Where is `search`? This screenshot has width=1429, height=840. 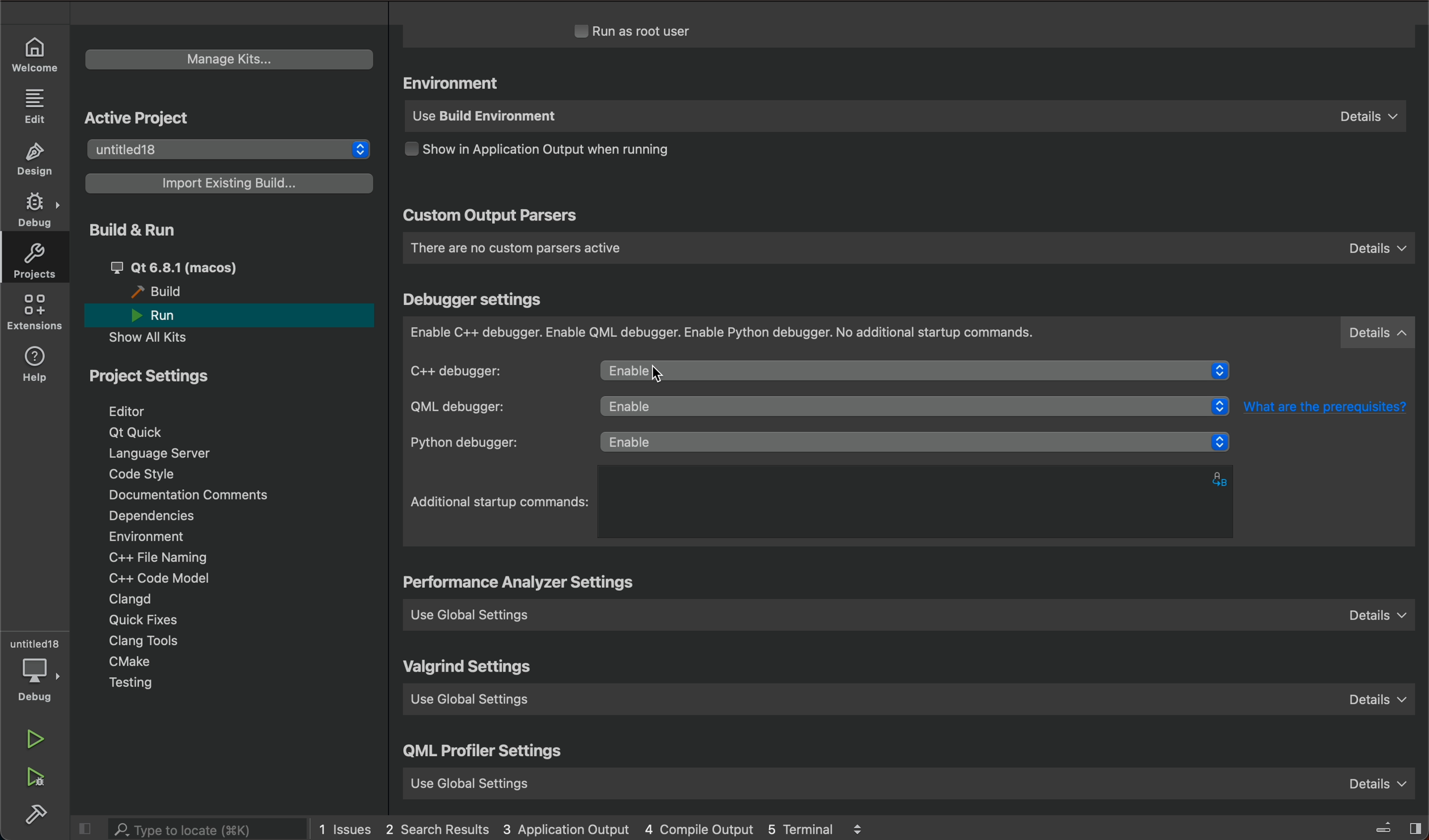
search is located at coordinates (208, 830).